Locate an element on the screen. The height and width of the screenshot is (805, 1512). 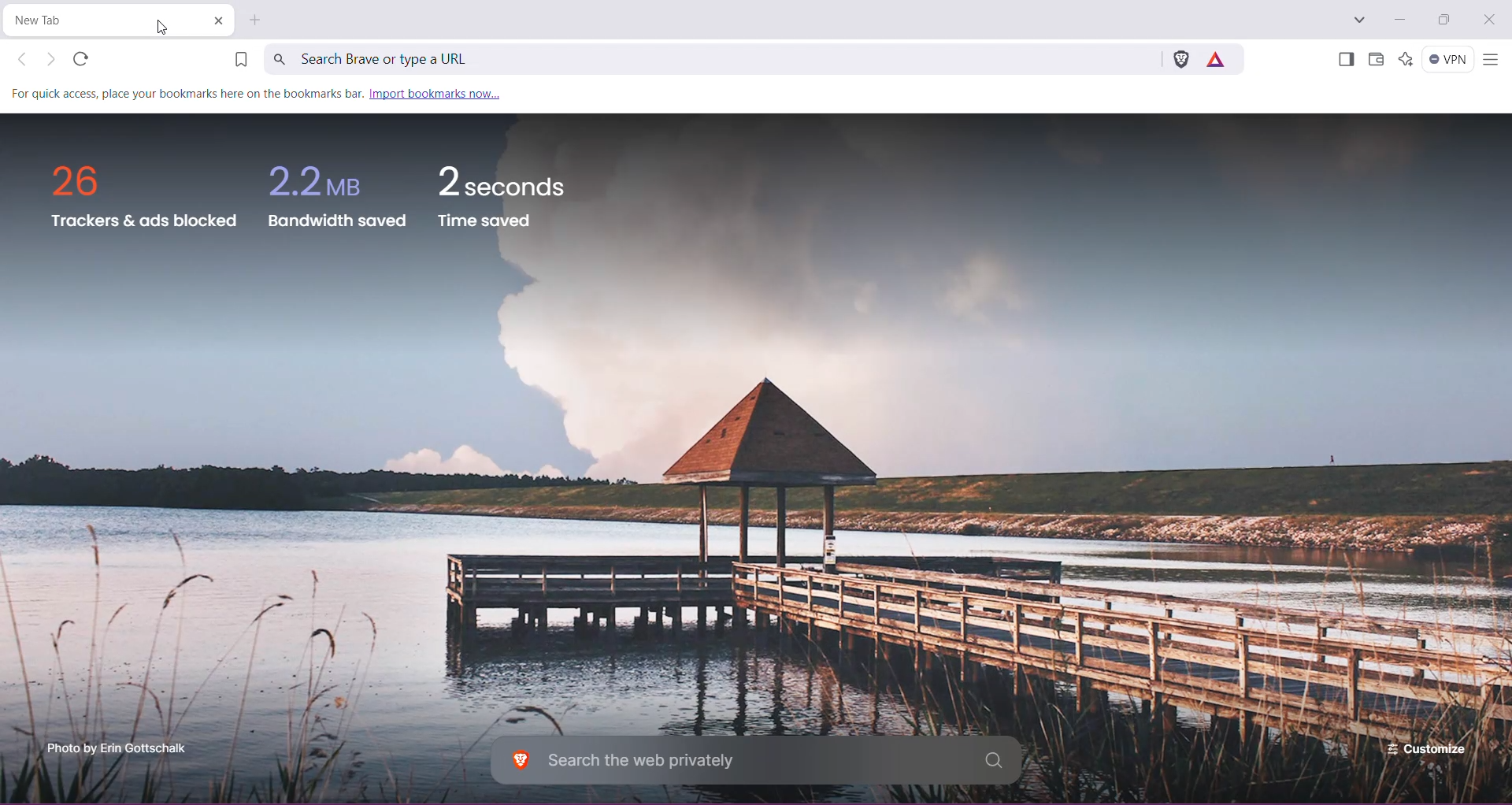
Minimize is located at coordinates (1398, 21).